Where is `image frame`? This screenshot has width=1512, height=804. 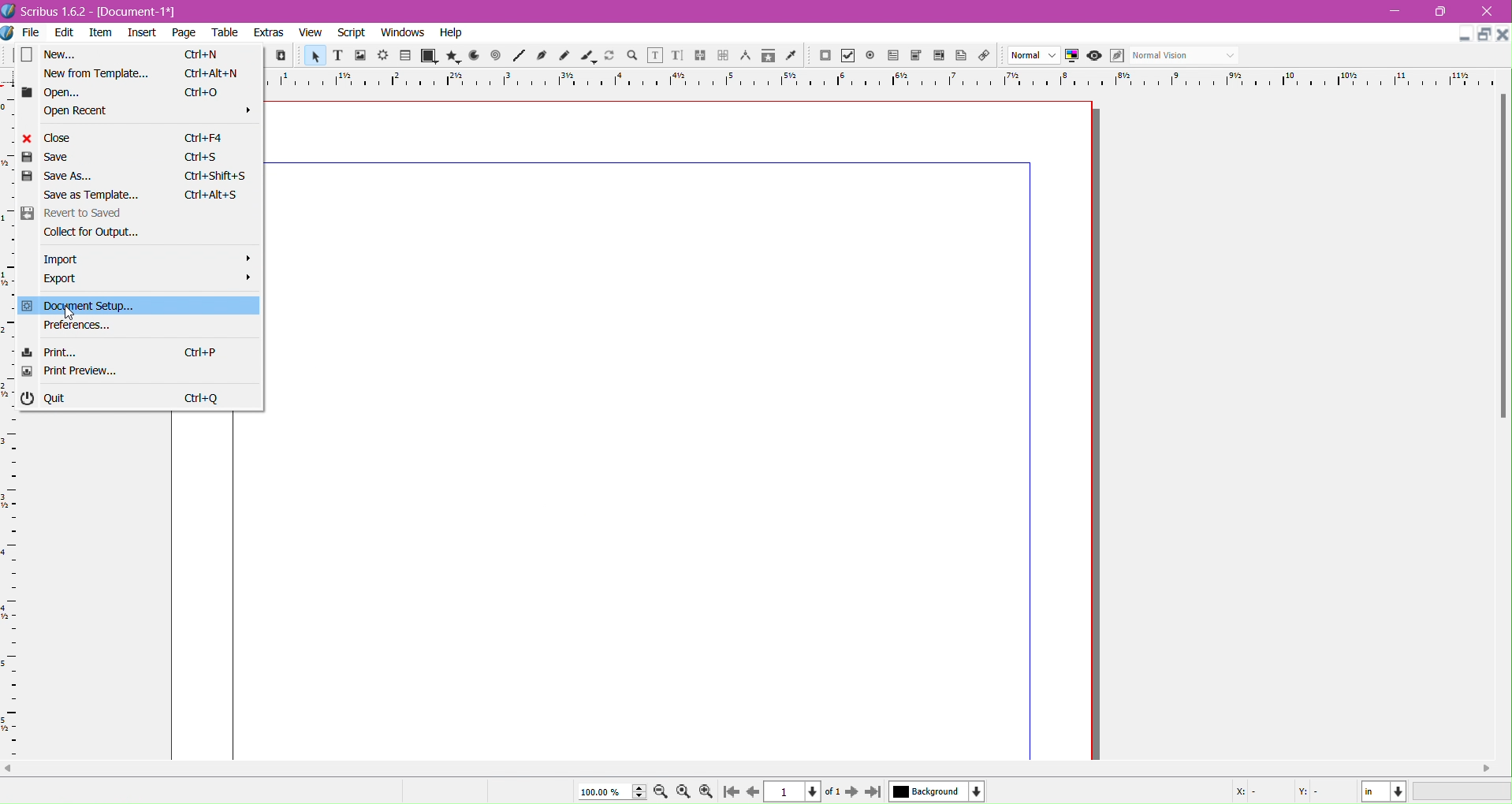
image frame is located at coordinates (359, 57).